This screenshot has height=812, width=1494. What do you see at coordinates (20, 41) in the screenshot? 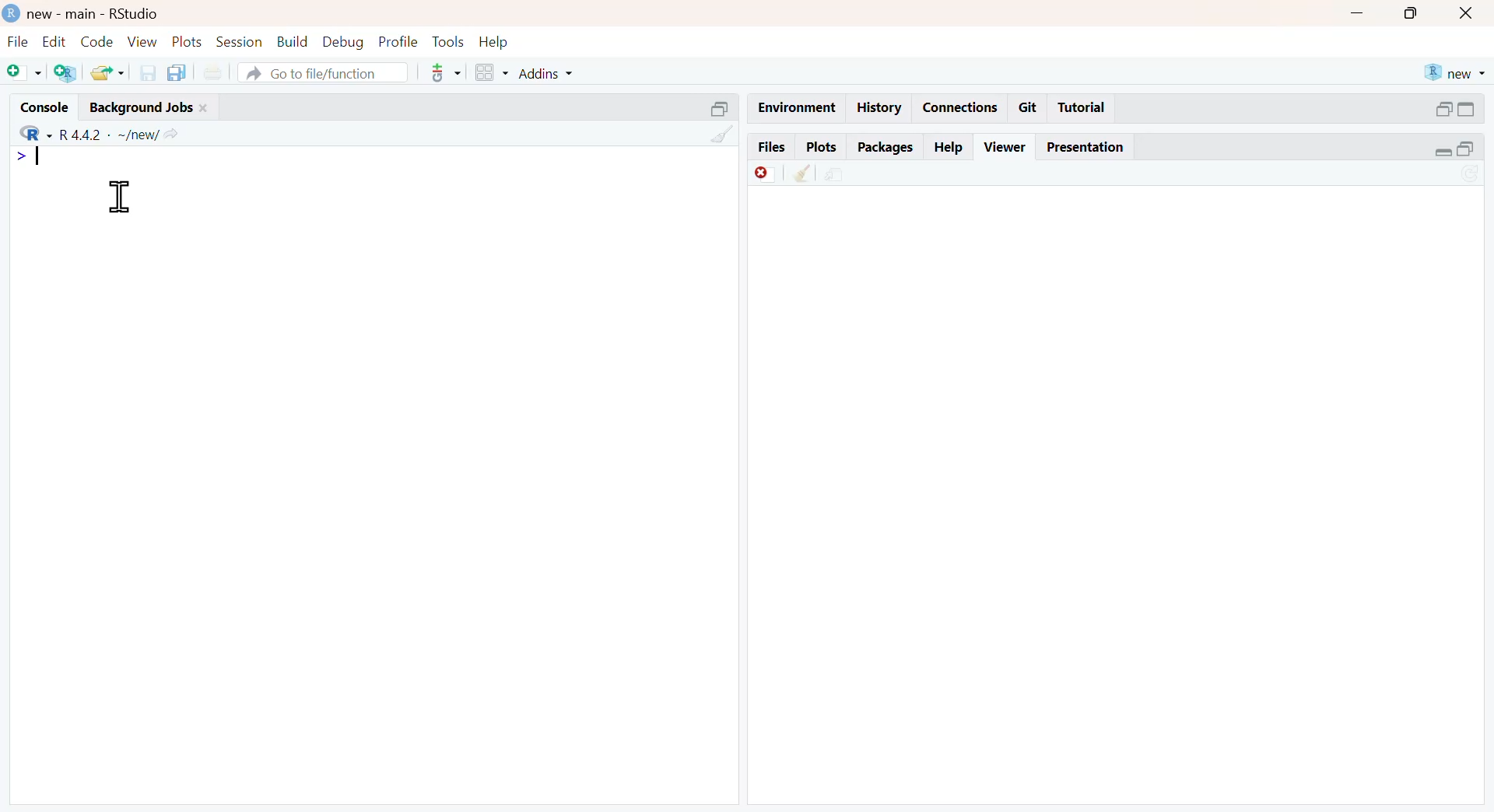
I see `file` at bounding box center [20, 41].